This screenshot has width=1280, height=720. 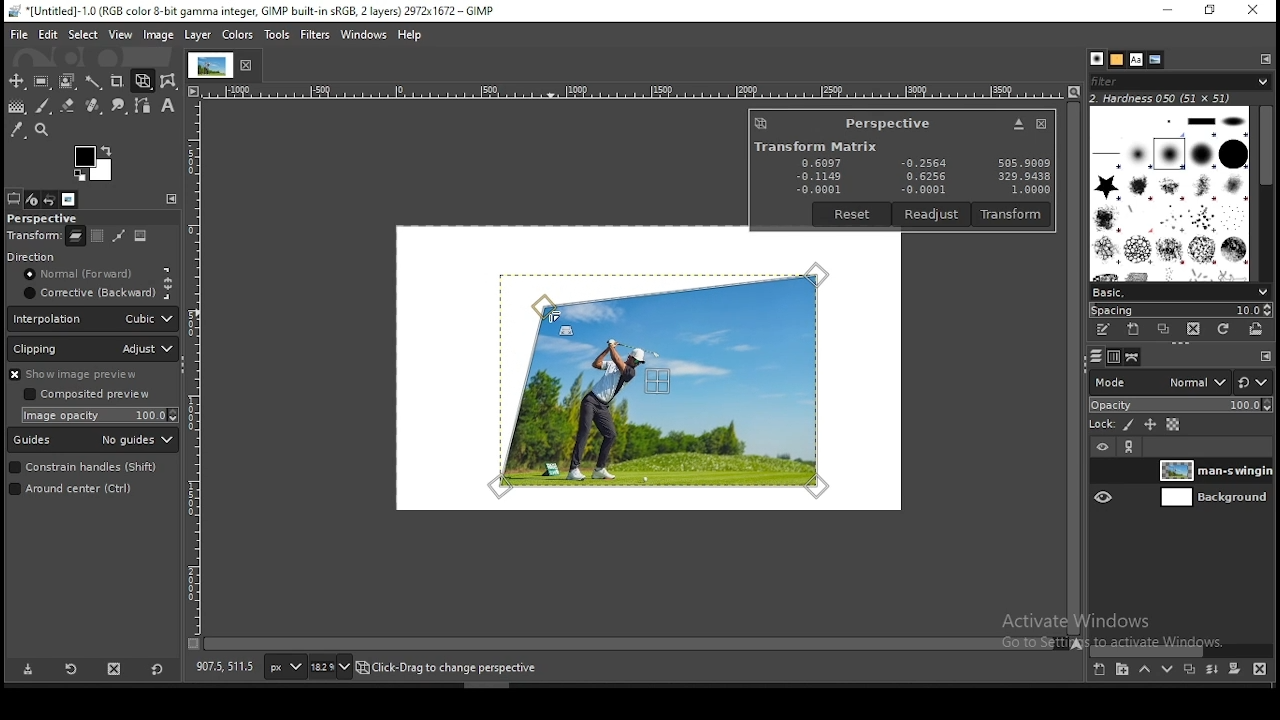 I want to click on paths tool, so click(x=145, y=106).